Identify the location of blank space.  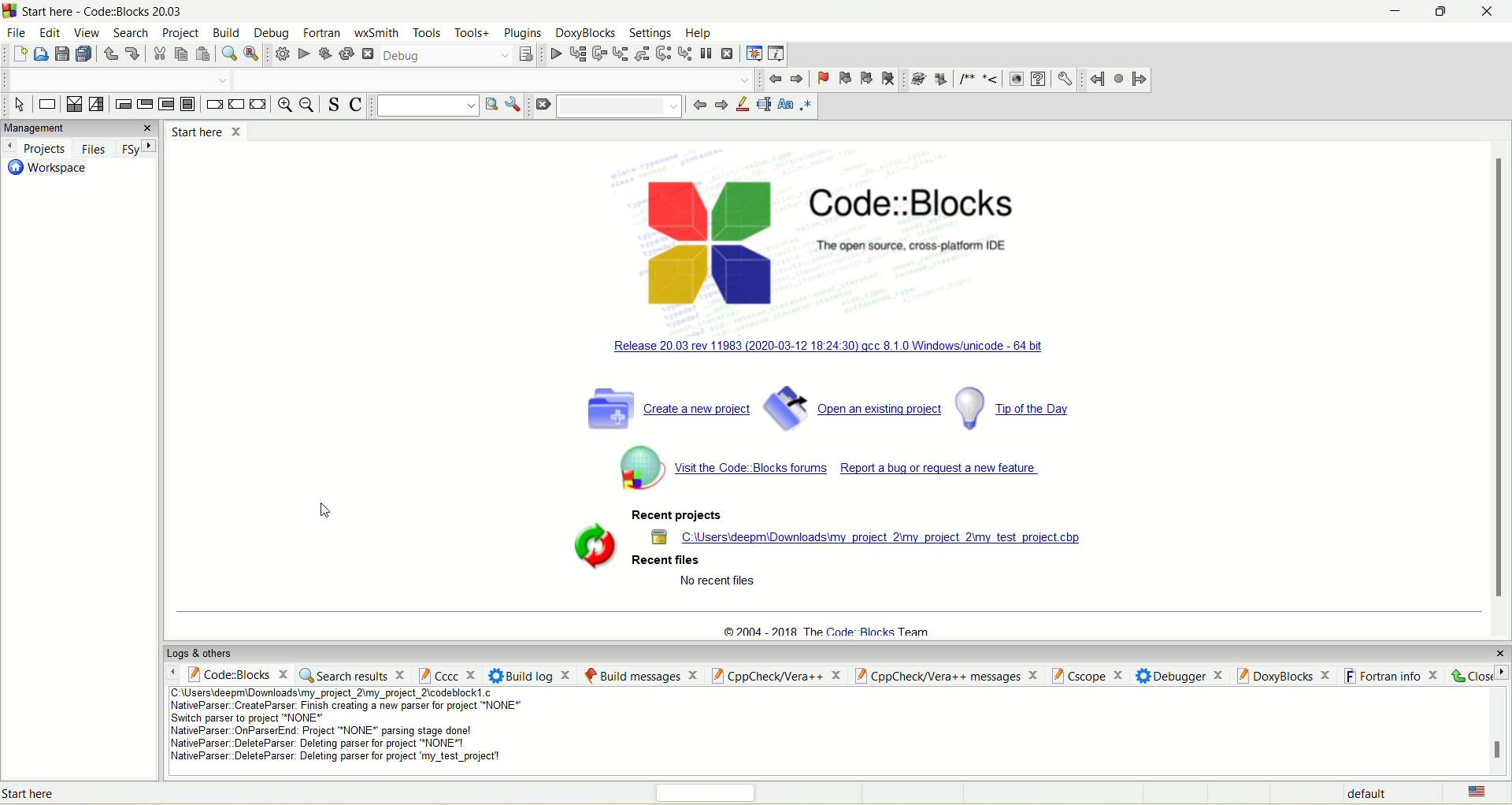
(625, 106).